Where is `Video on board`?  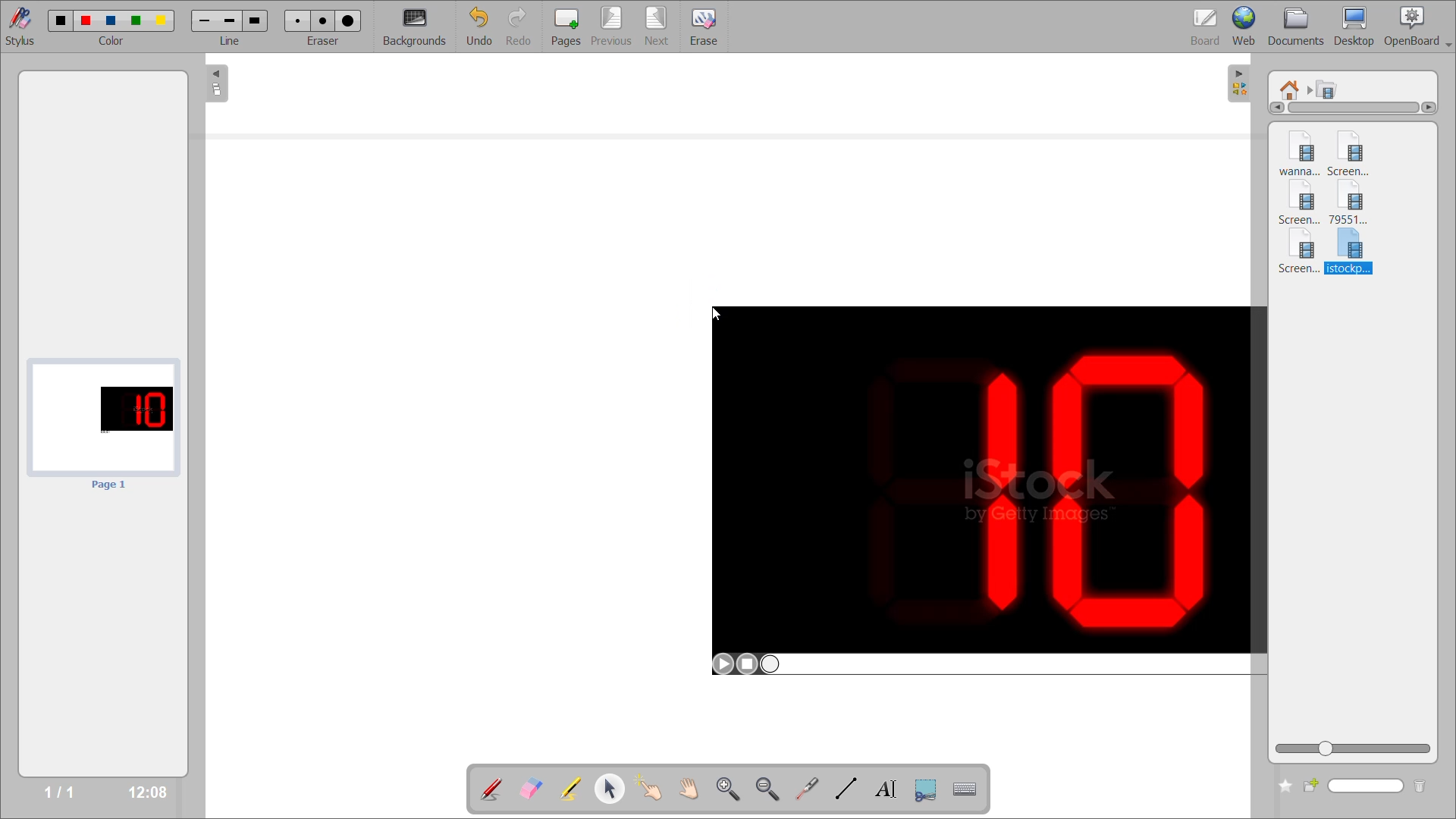 Video on board is located at coordinates (1003, 488).